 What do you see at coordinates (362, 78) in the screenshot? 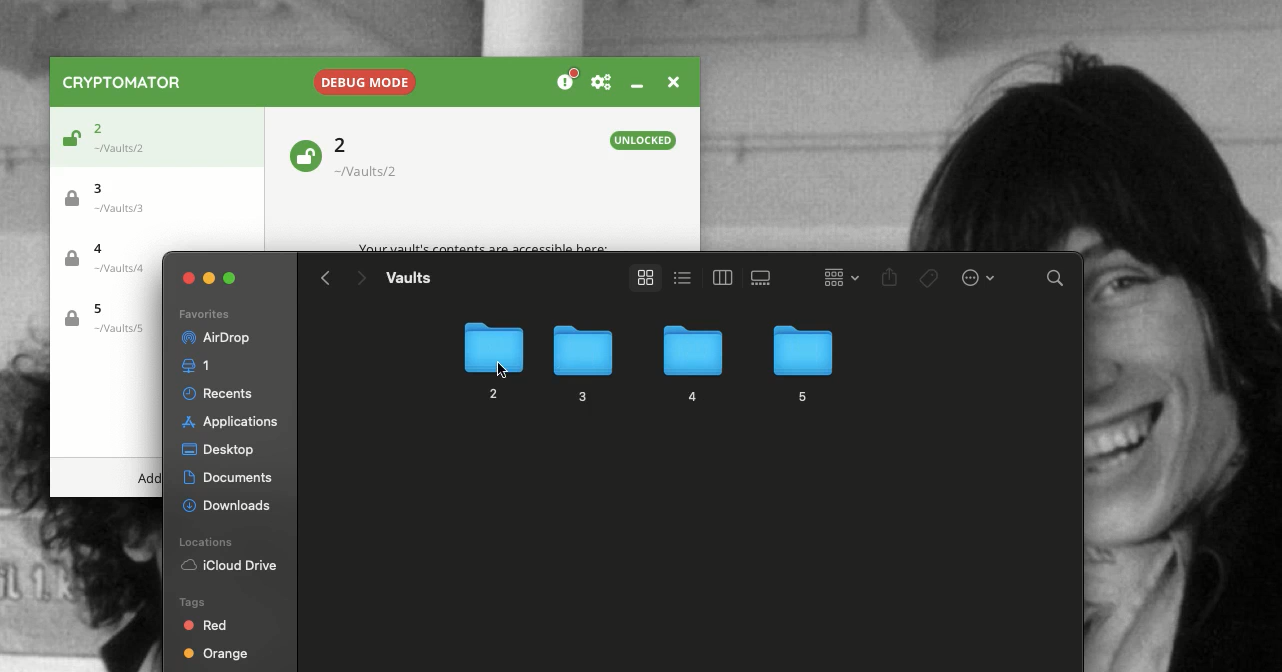
I see `Debug mode` at bounding box center [362, 78].